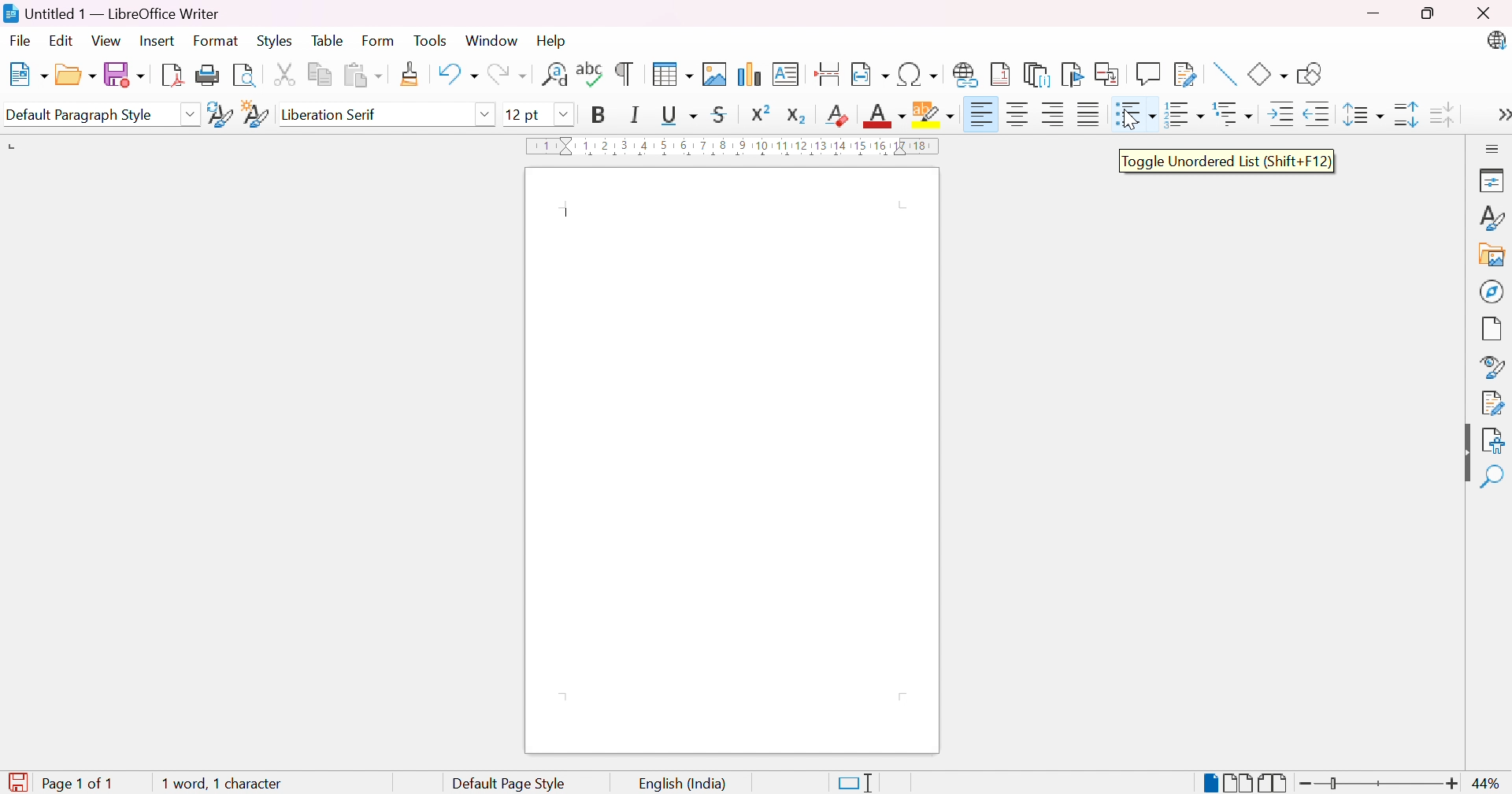 The height and width of the screenshot is (794, 1512). What do you see at coordinates (985, 114) in the screenshot?
I see `Align right` at bounding box center [985, 114].